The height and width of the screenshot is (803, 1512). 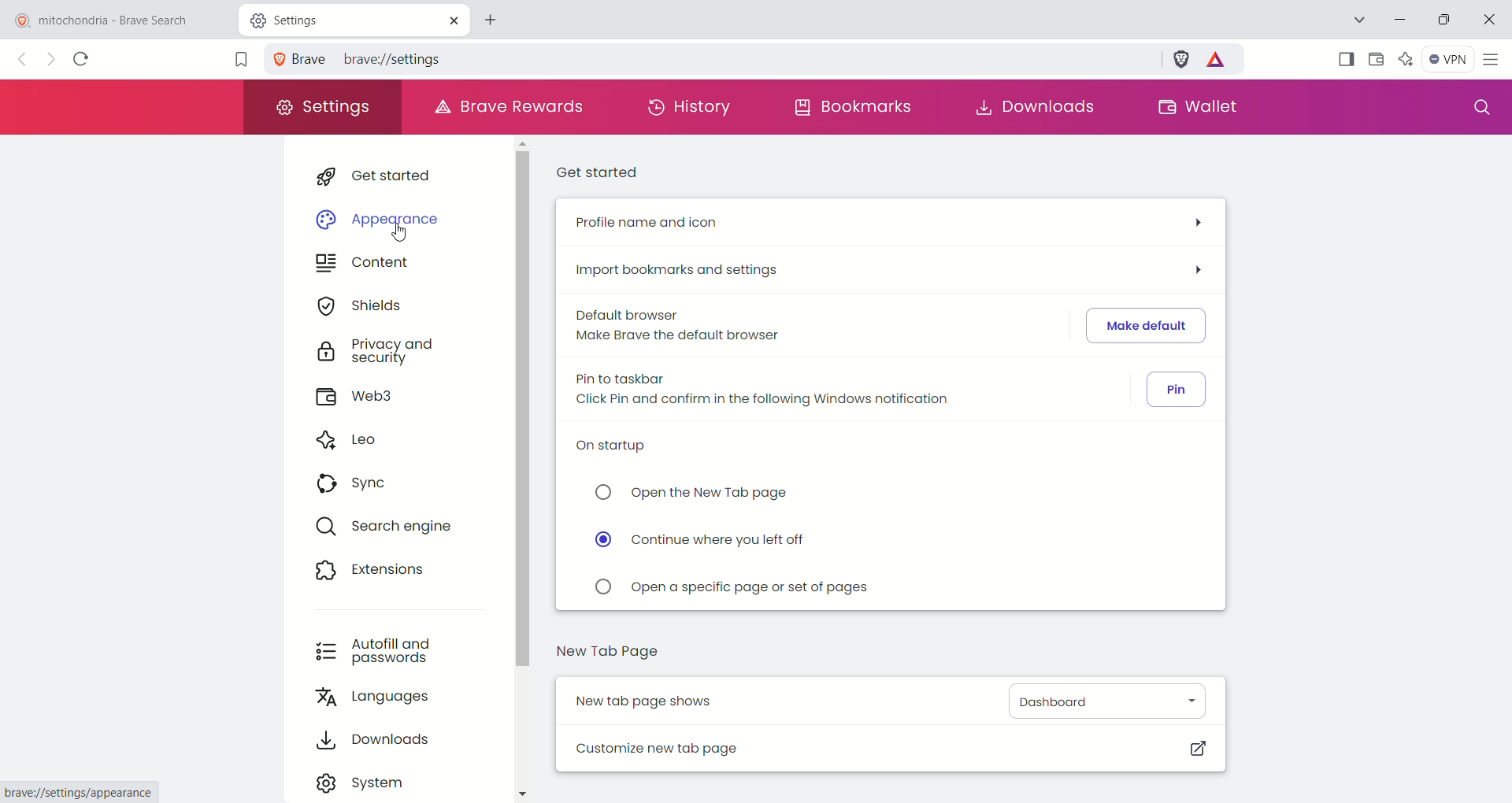 I want to click on shields, so click(x=358, y=305).